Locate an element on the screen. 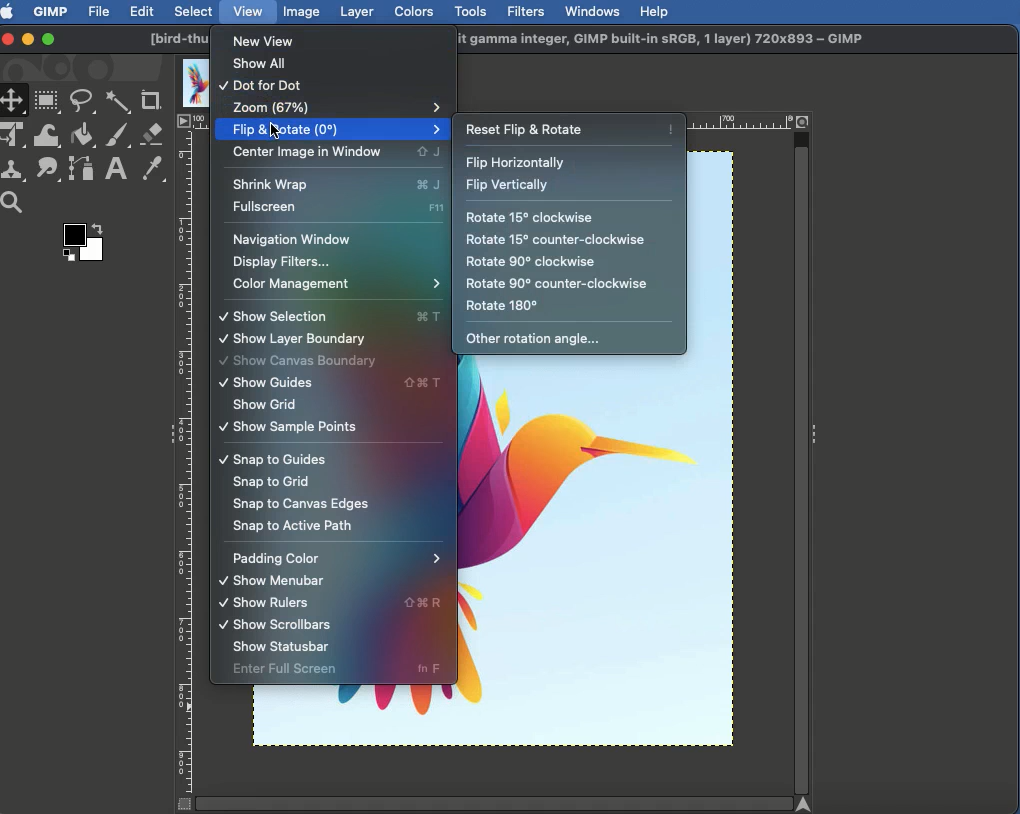  Show menubar is located at coordinates (271, 581).